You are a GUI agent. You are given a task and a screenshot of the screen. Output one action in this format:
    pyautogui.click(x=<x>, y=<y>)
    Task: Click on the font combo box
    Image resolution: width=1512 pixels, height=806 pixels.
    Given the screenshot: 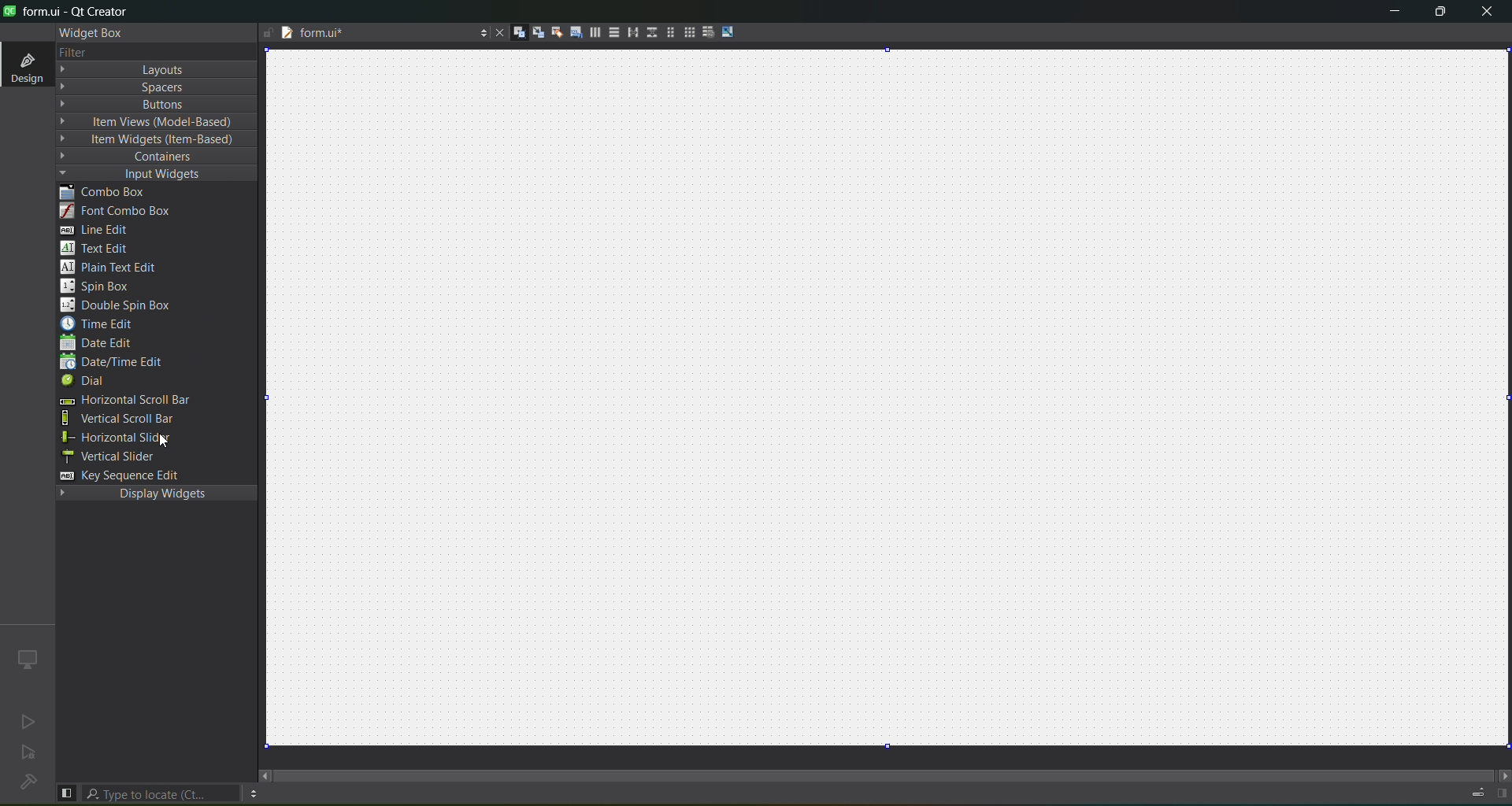 What is the action you would take?
    pyautogui.click(x=116, y=210)
    